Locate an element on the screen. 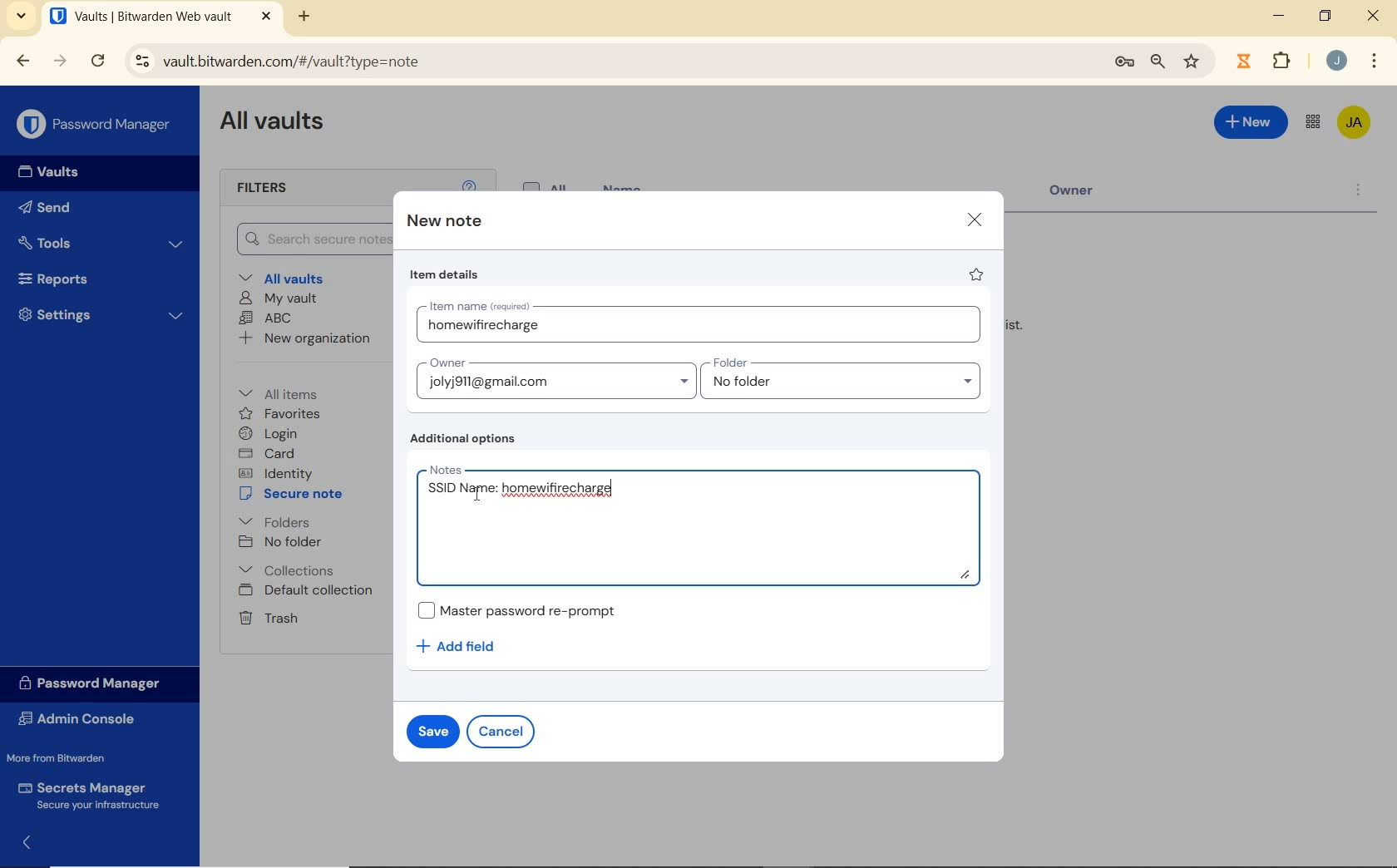  favorite is located at coordinates (978, 274).